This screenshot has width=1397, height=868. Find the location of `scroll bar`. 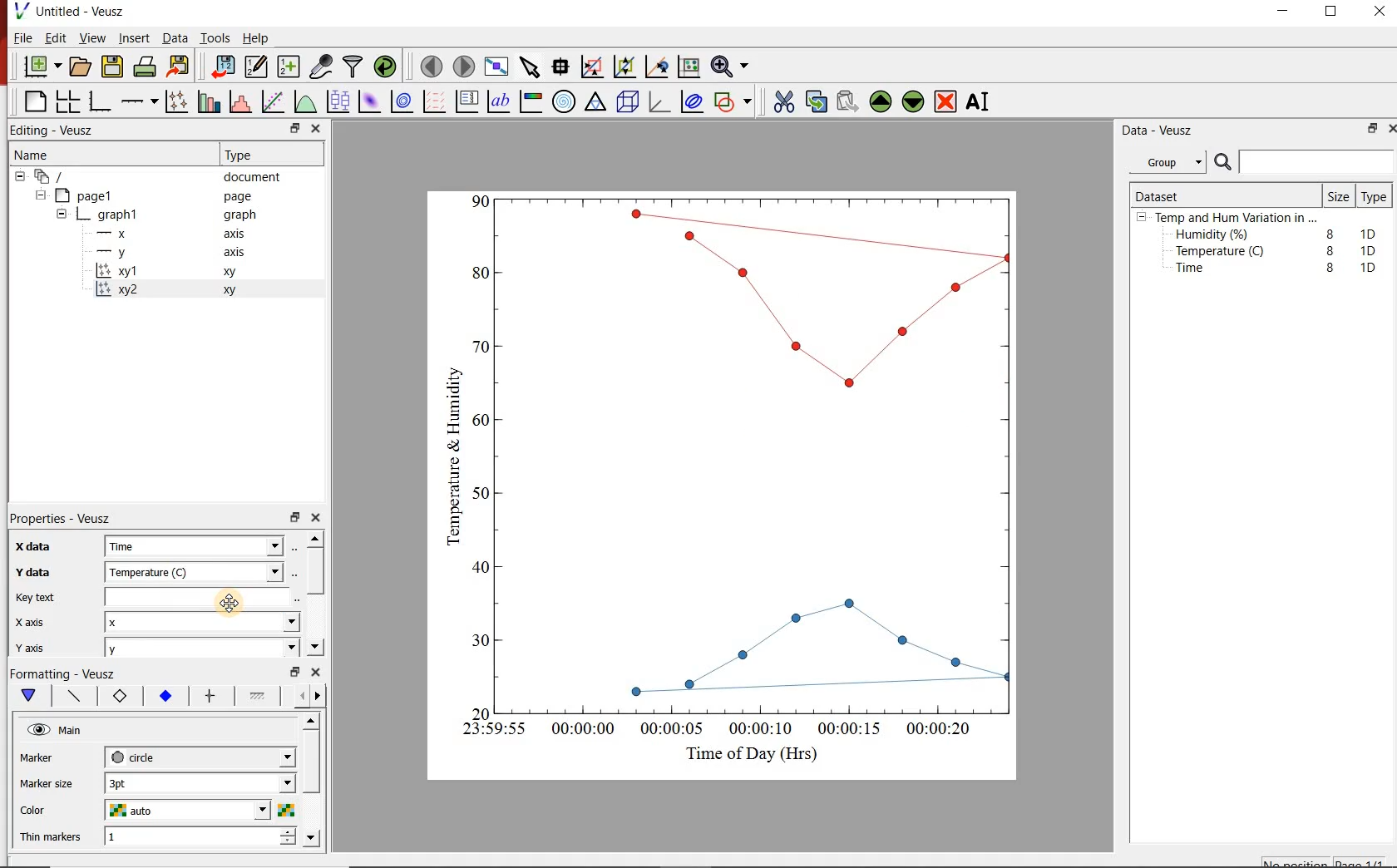

scroll bar is located at coordinates (318, 591).